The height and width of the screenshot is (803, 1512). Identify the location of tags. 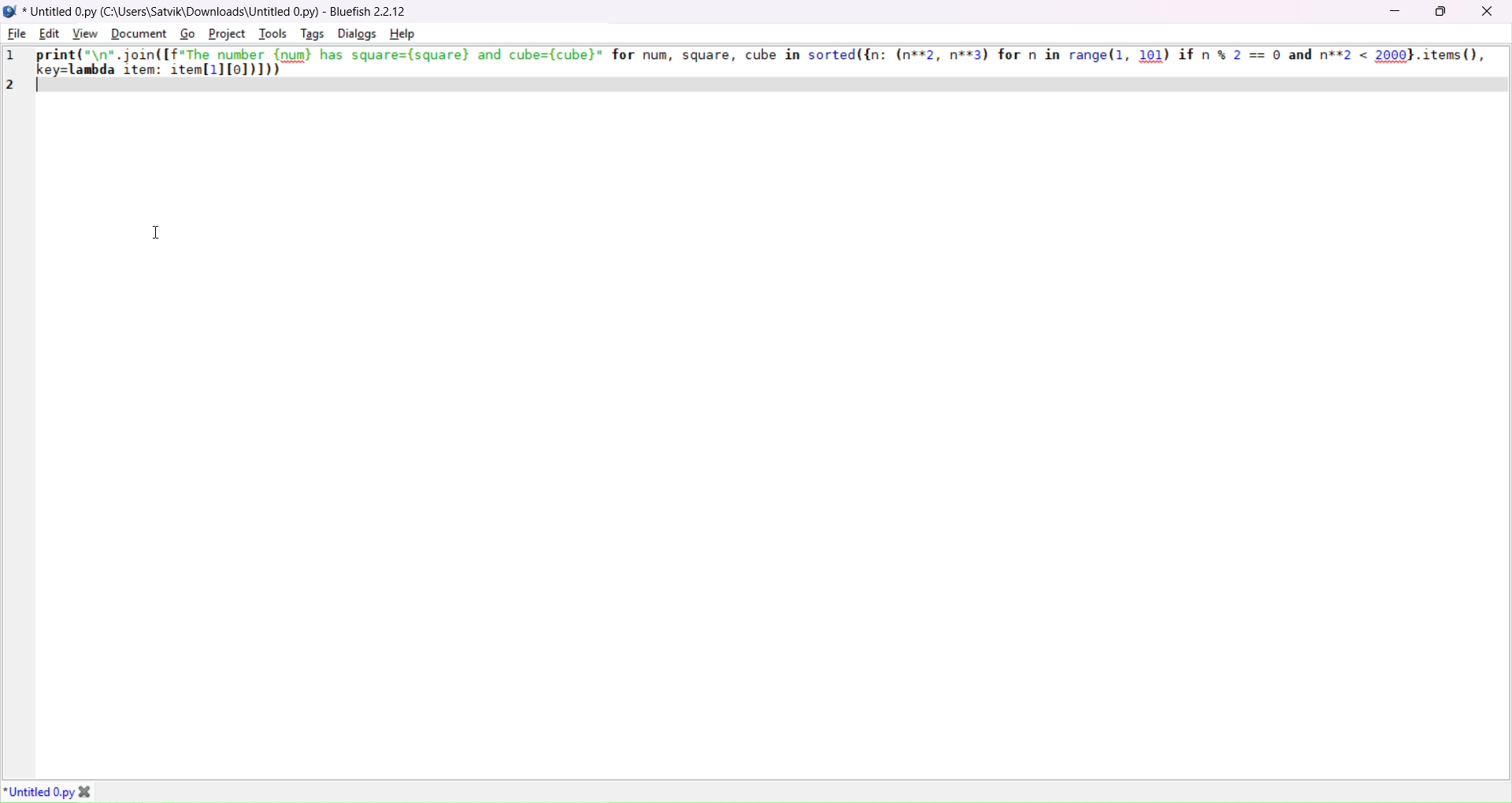
(310, 34).